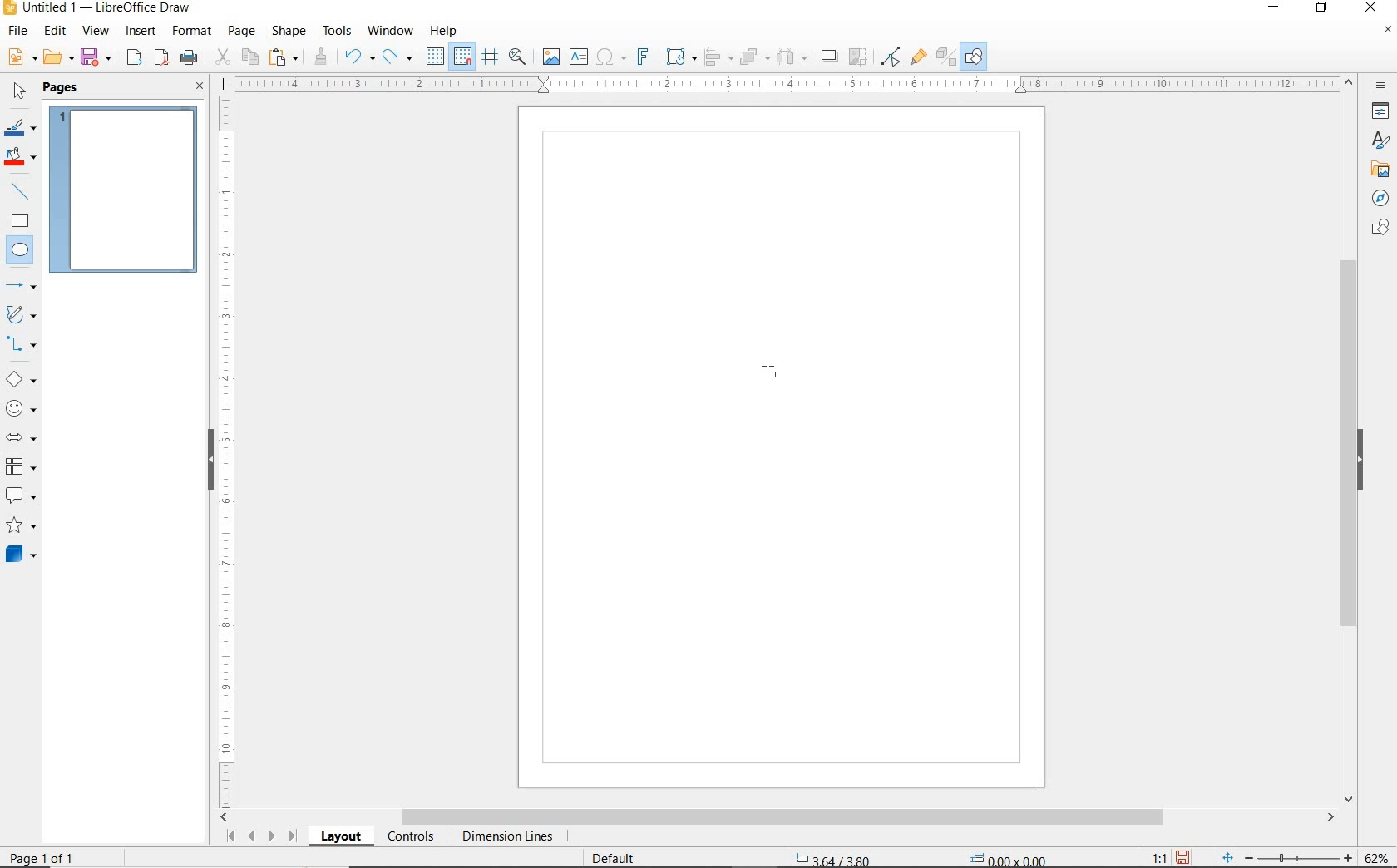  I want to click on PRINT, so click(190, 57).